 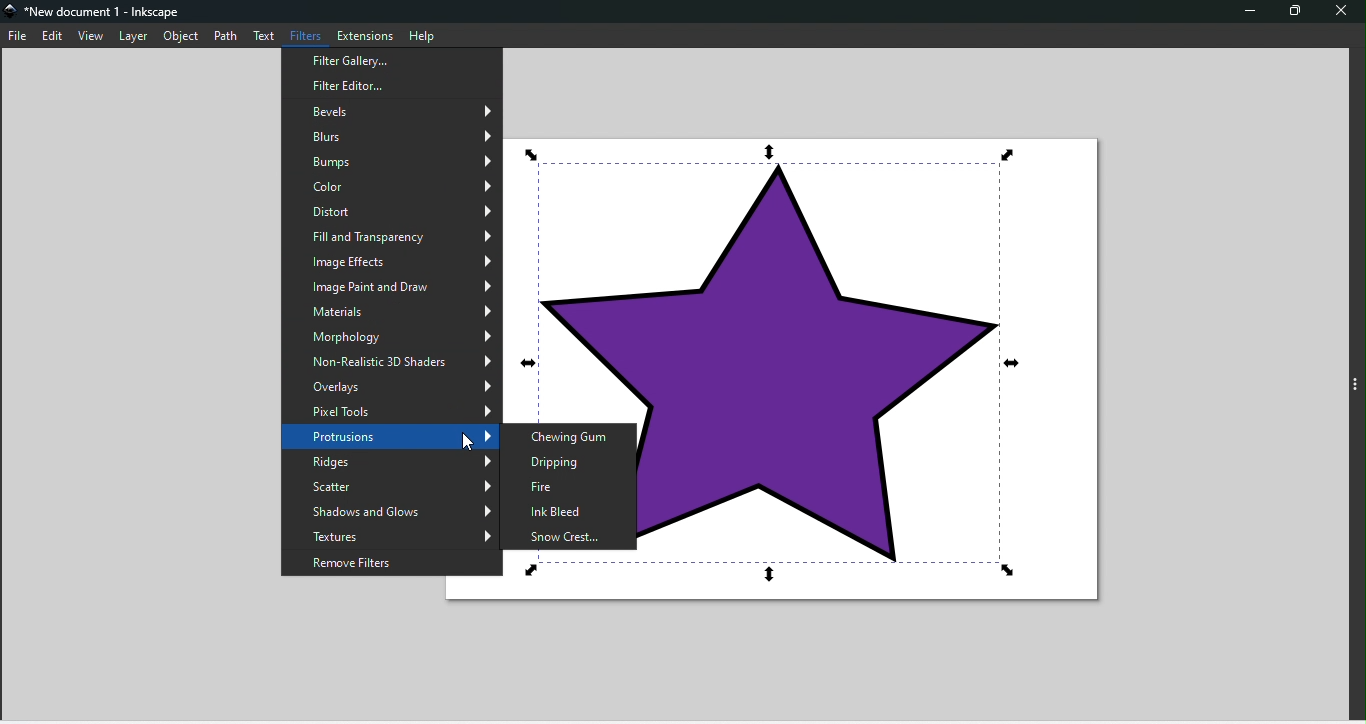 I want to click on Text, so click(x=269, y=36).